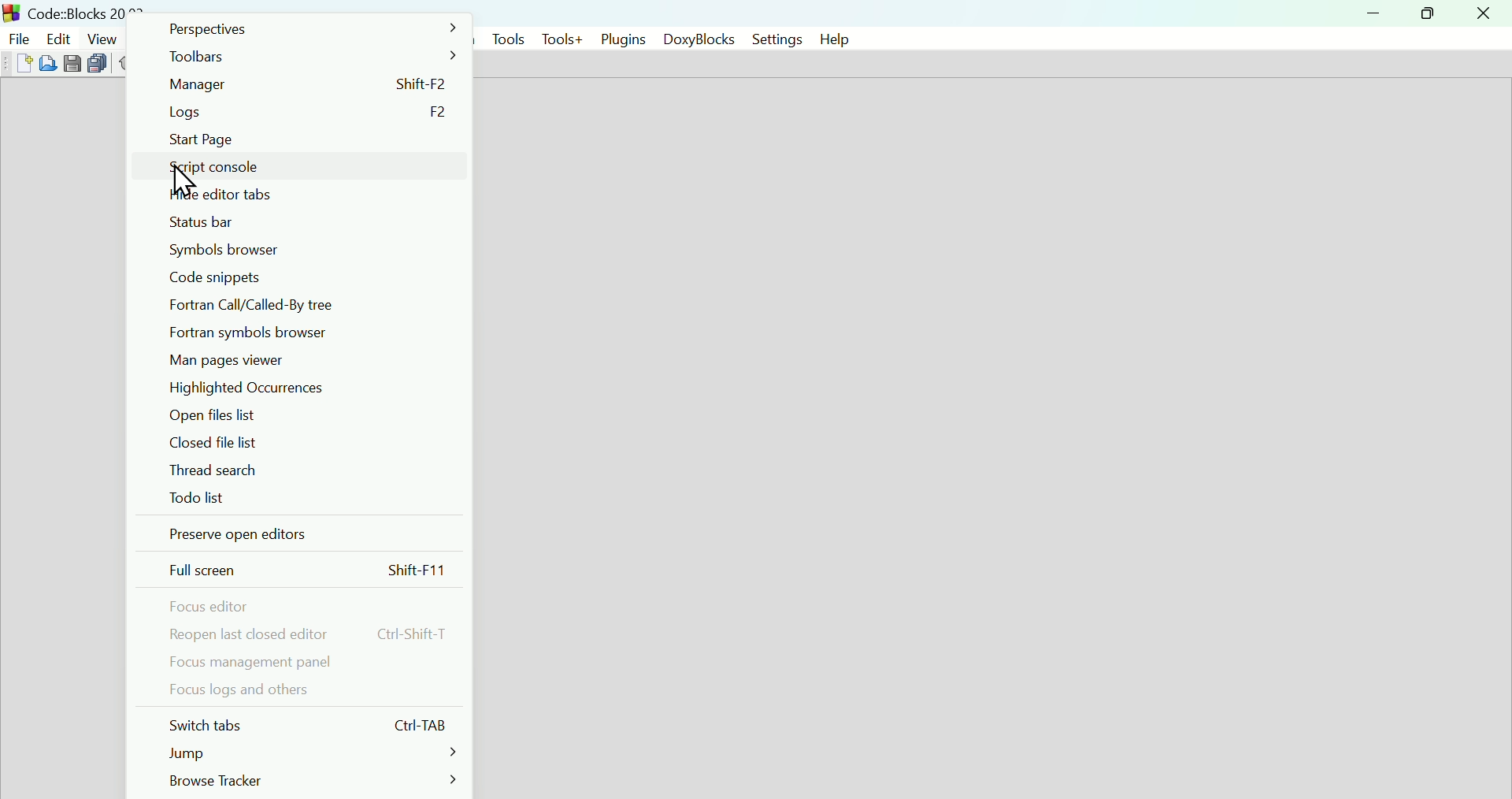  What do you see at coordinates (307, 415) in the screenshot?
I see `Open file list` at bounding box center [307, 415].